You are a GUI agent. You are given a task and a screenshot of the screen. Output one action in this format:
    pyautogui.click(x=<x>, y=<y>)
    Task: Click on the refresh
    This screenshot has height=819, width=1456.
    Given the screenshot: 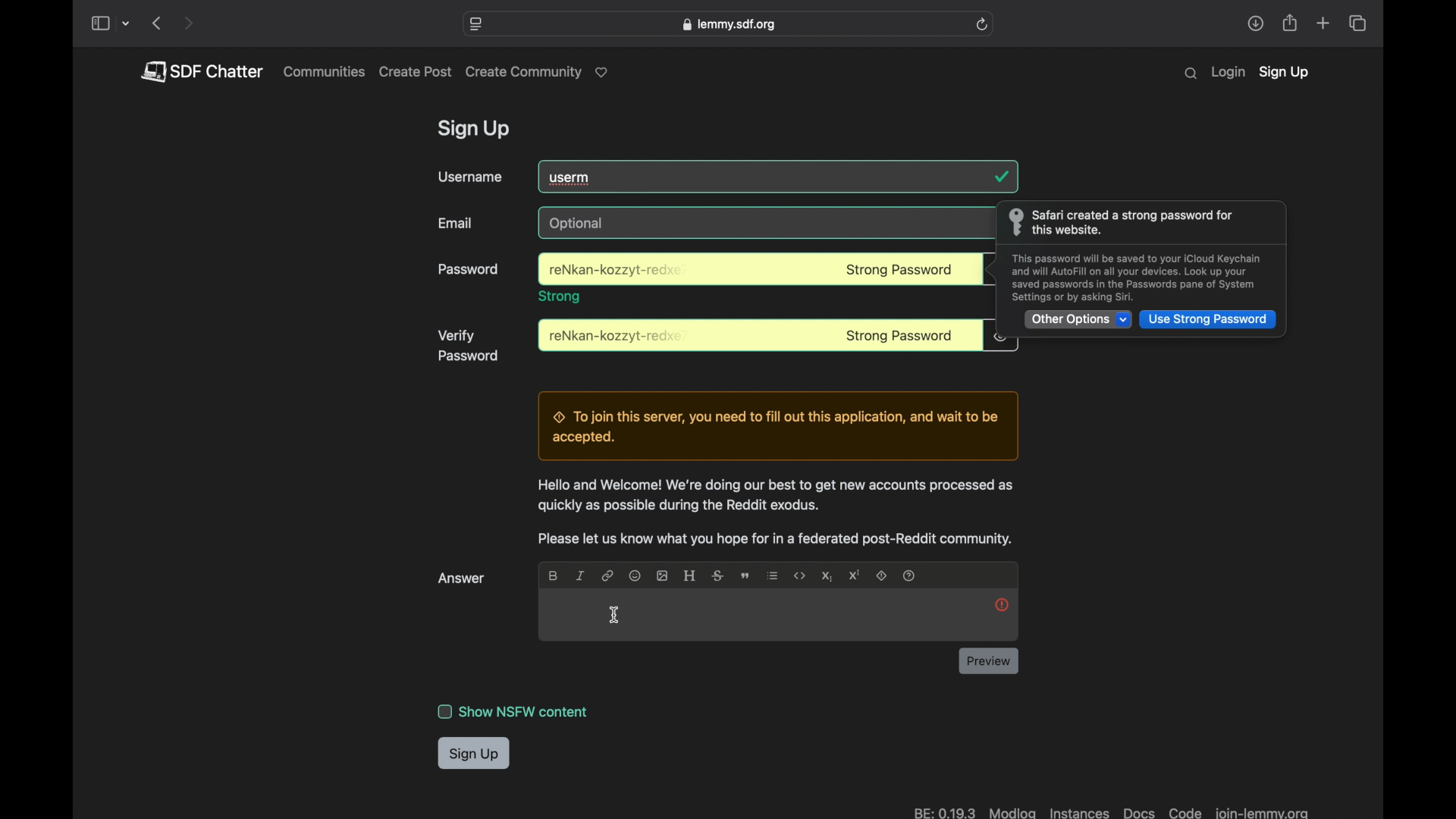 What is the action you would take?
    pyautogui.click(x=982, y=24)
    